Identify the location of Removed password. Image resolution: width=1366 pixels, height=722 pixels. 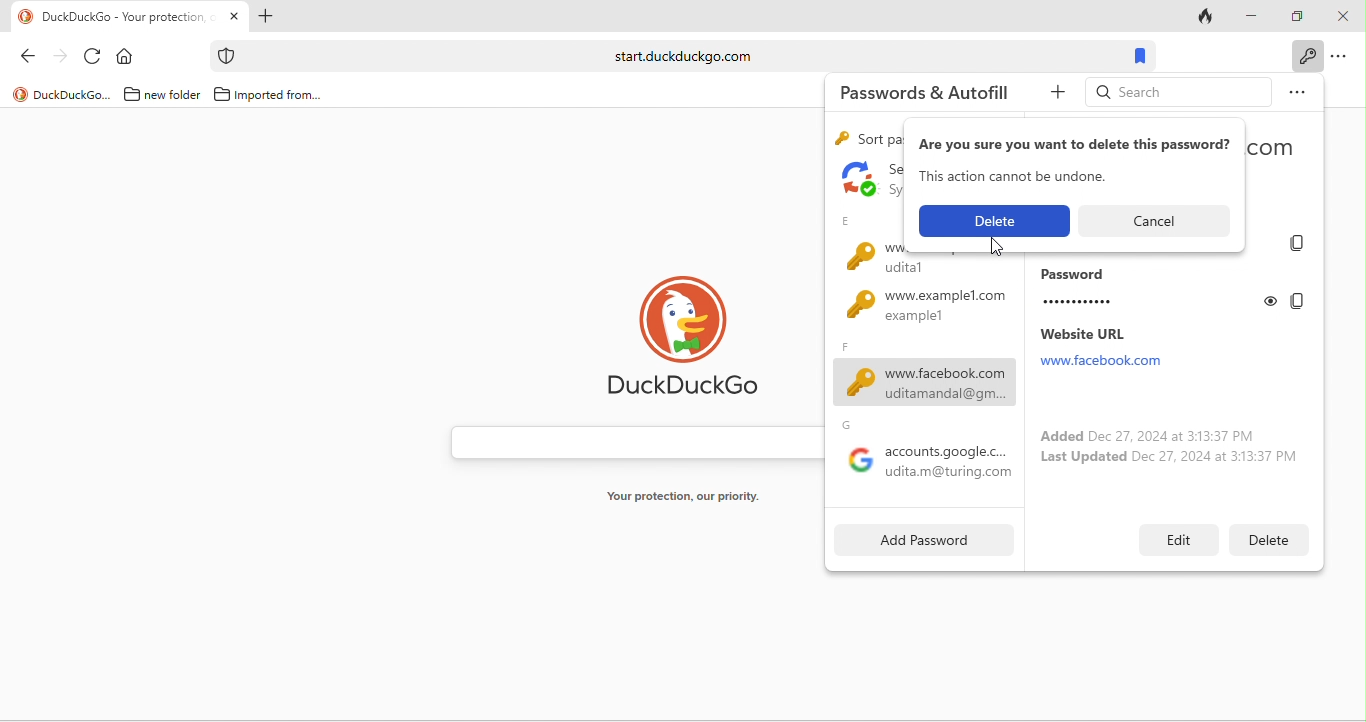
(993, 222).